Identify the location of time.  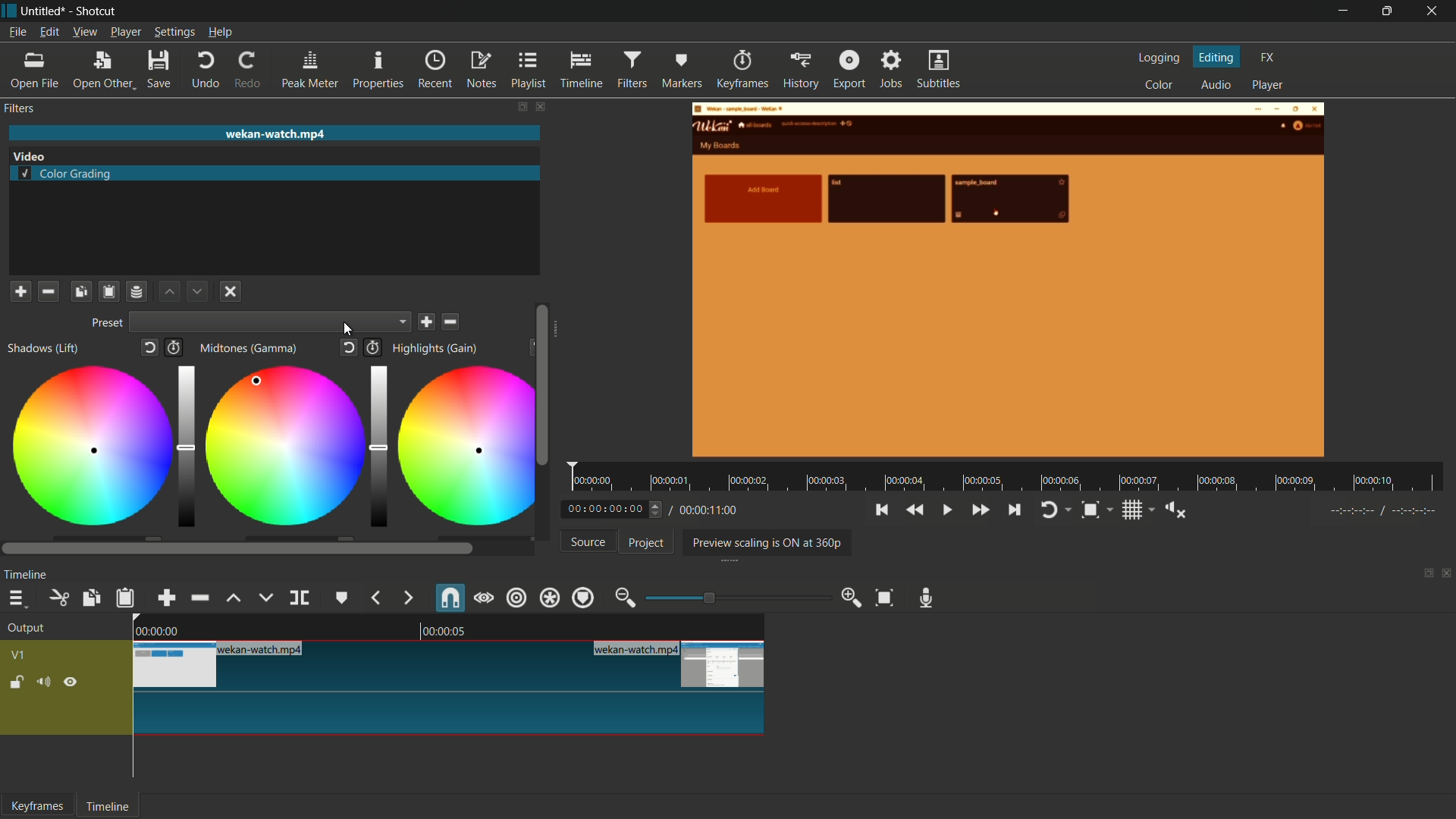
(1011, 478).